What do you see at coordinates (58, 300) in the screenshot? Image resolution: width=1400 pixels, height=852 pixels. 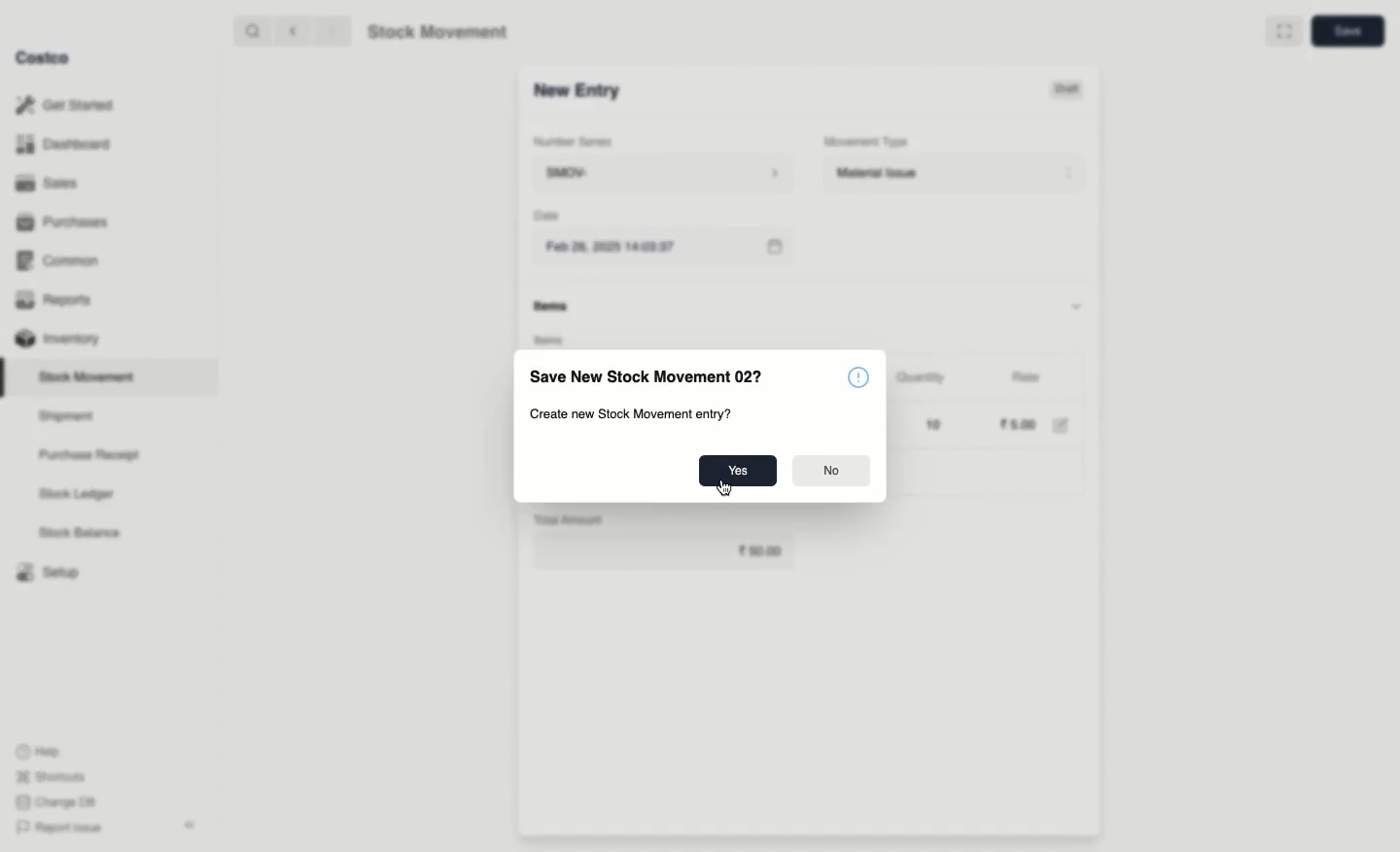 I see `Reports` at bounding box center [58, 300].